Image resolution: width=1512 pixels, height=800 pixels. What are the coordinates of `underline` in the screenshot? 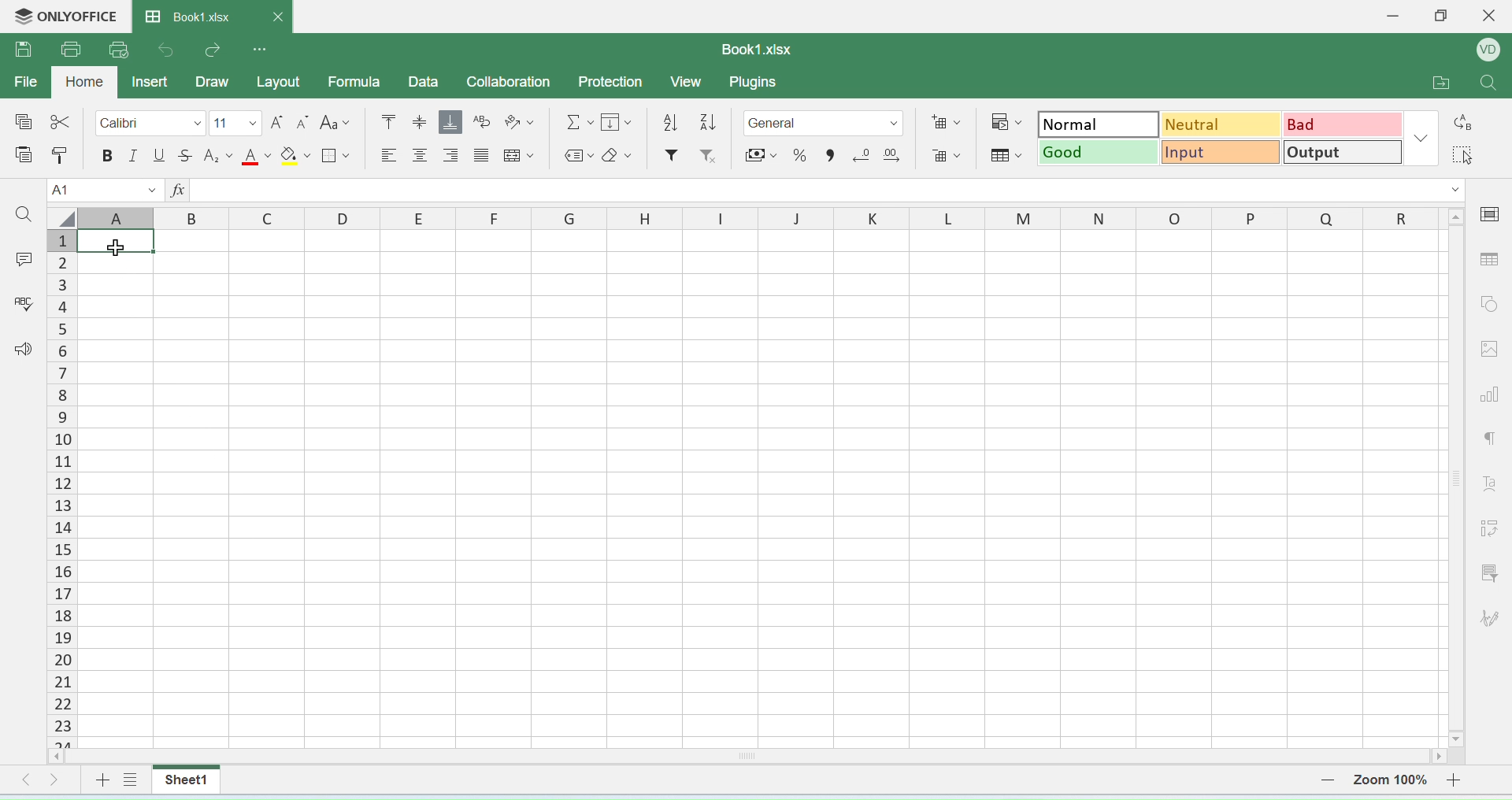 It's located at (158, 156).